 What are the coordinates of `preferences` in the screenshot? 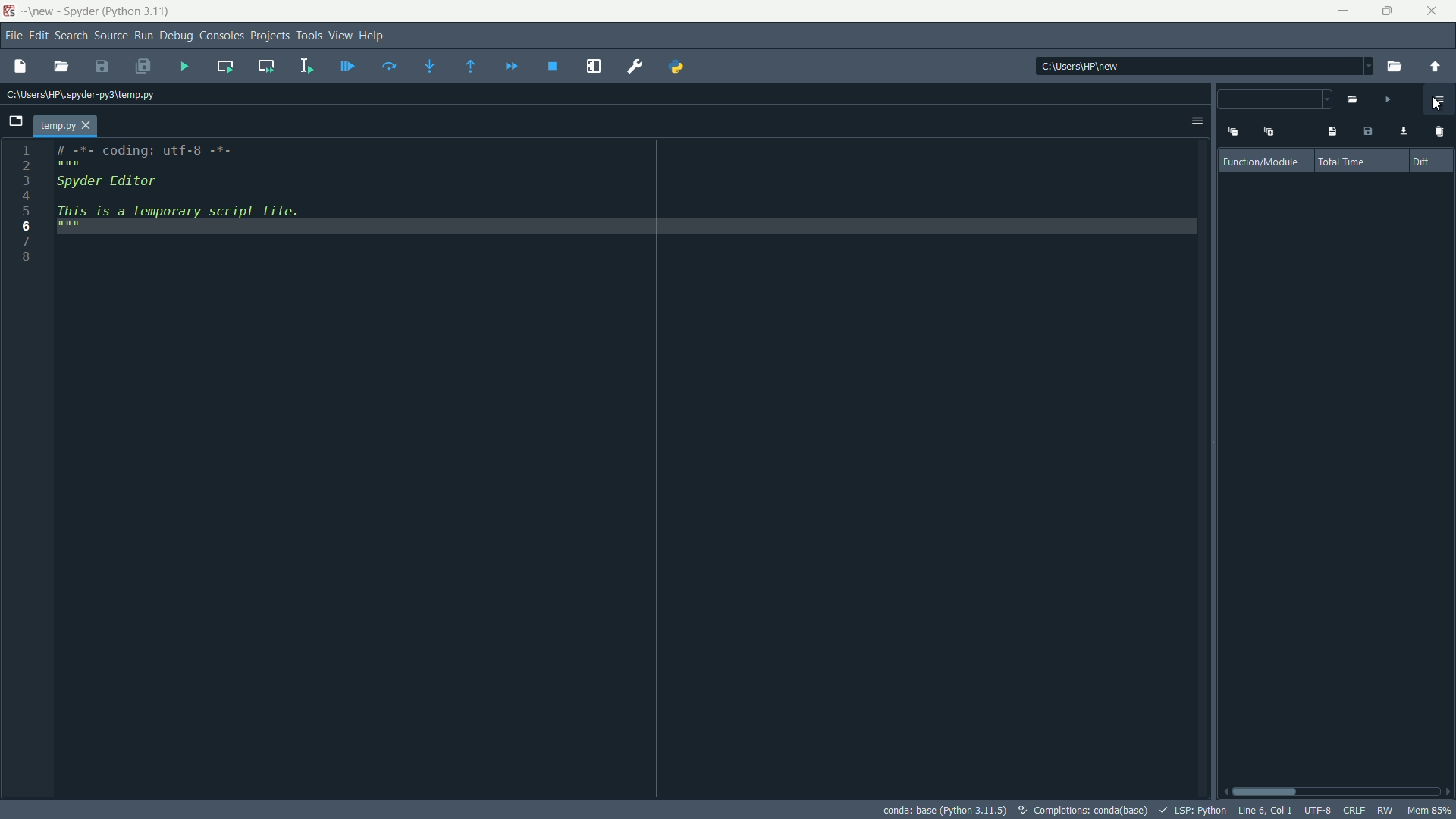 It's located at (635, 67).